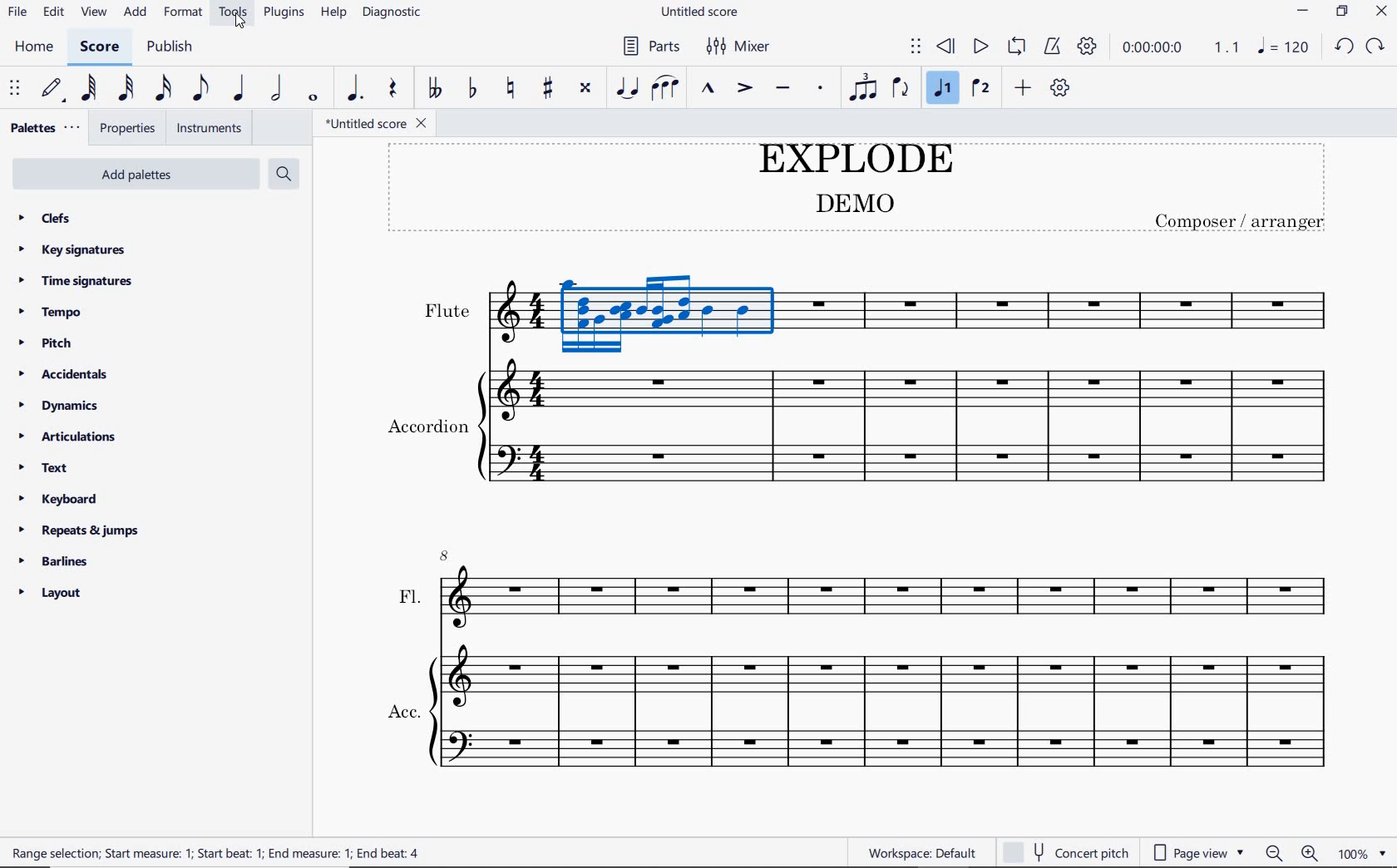 The width and height of the screenshot is (1397, 868). Describe the element at coordinates (1016, 48) in the screenshot. I see `loop playback` at that location.